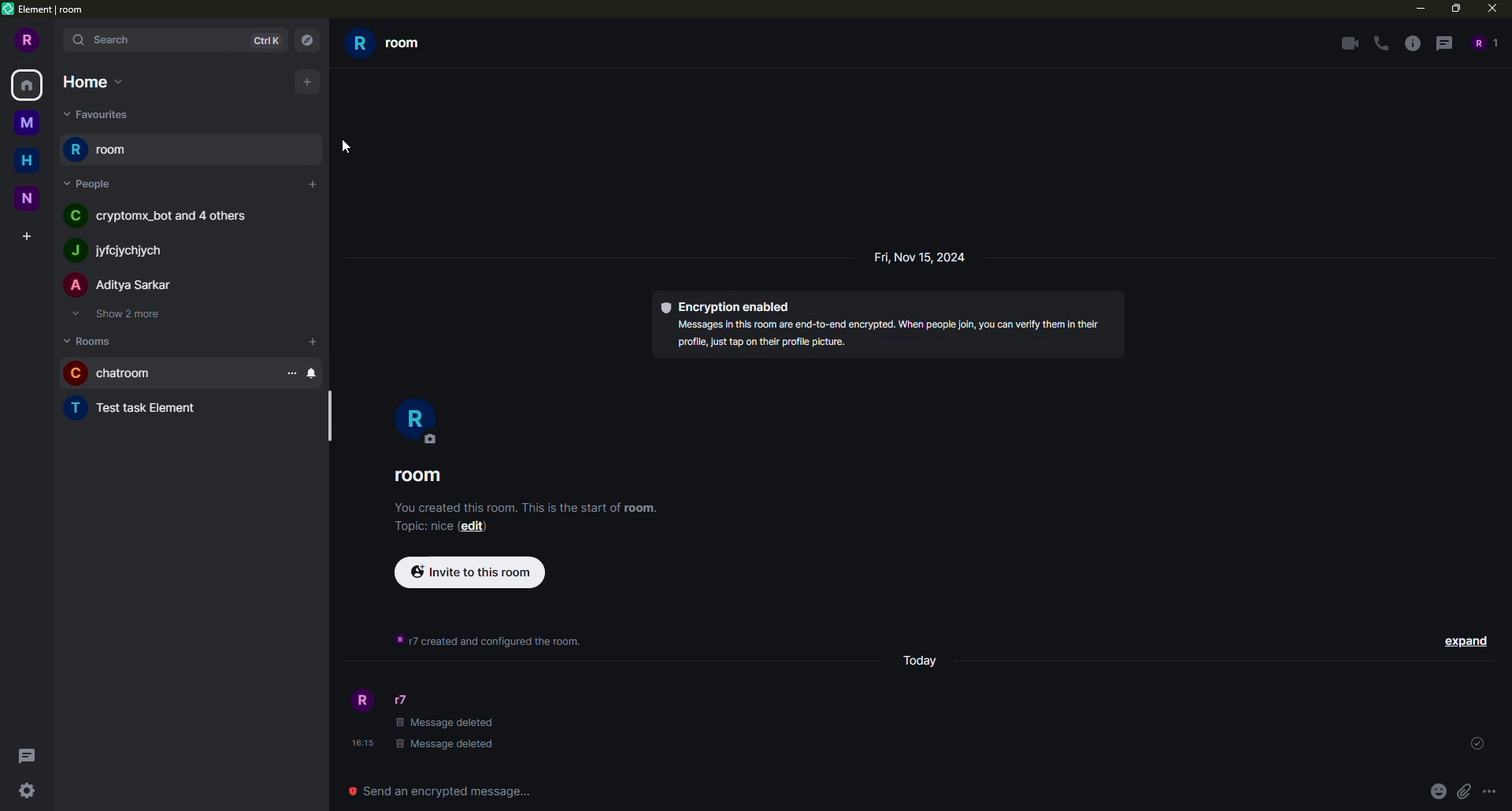 The width and height of the screenshot is (1512, 811). Describe the element at coordinates (418, 528) in the screenshot. I see `topic` at that location.